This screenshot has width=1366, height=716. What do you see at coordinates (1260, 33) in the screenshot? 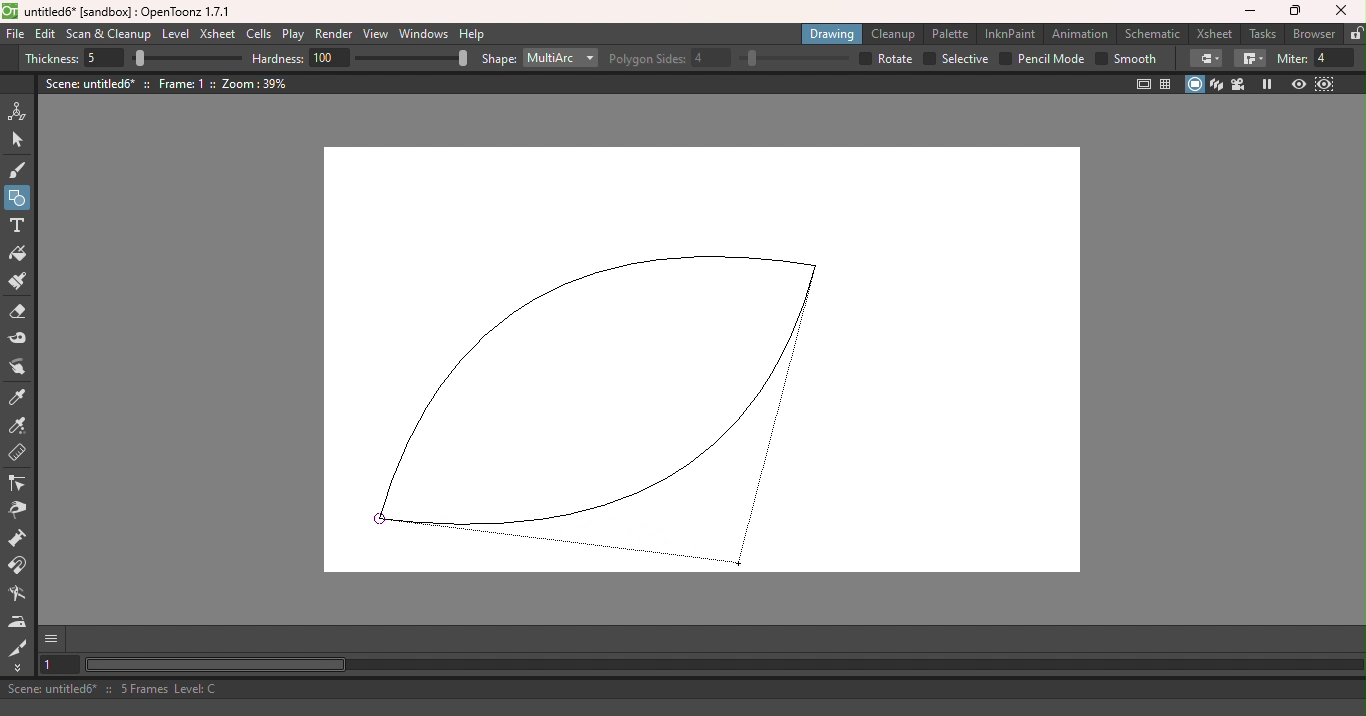
I see `Tasks` at bounding box center [1260, 33].